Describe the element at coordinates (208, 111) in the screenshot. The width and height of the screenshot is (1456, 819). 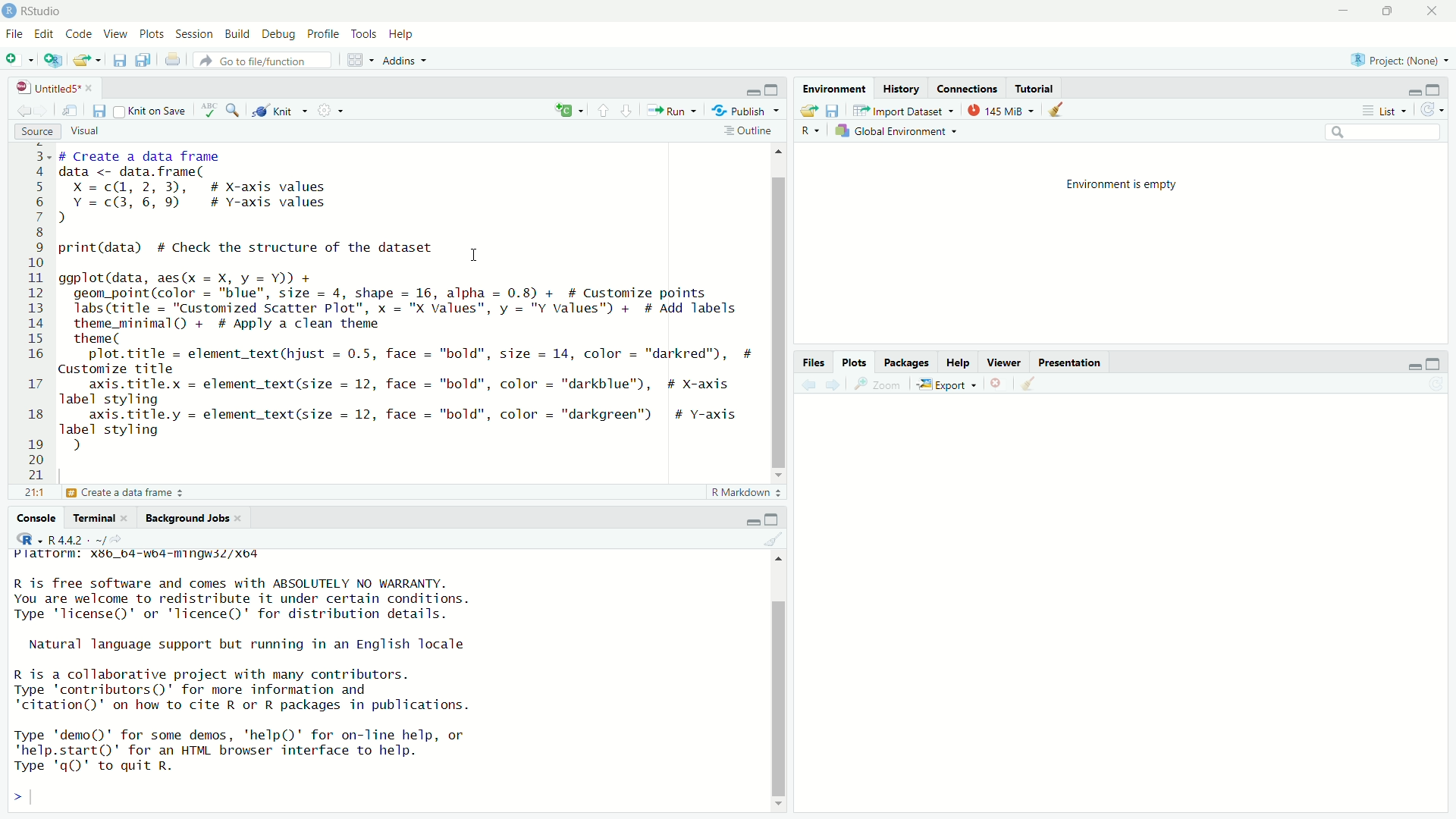
I see `ABC` at that location.